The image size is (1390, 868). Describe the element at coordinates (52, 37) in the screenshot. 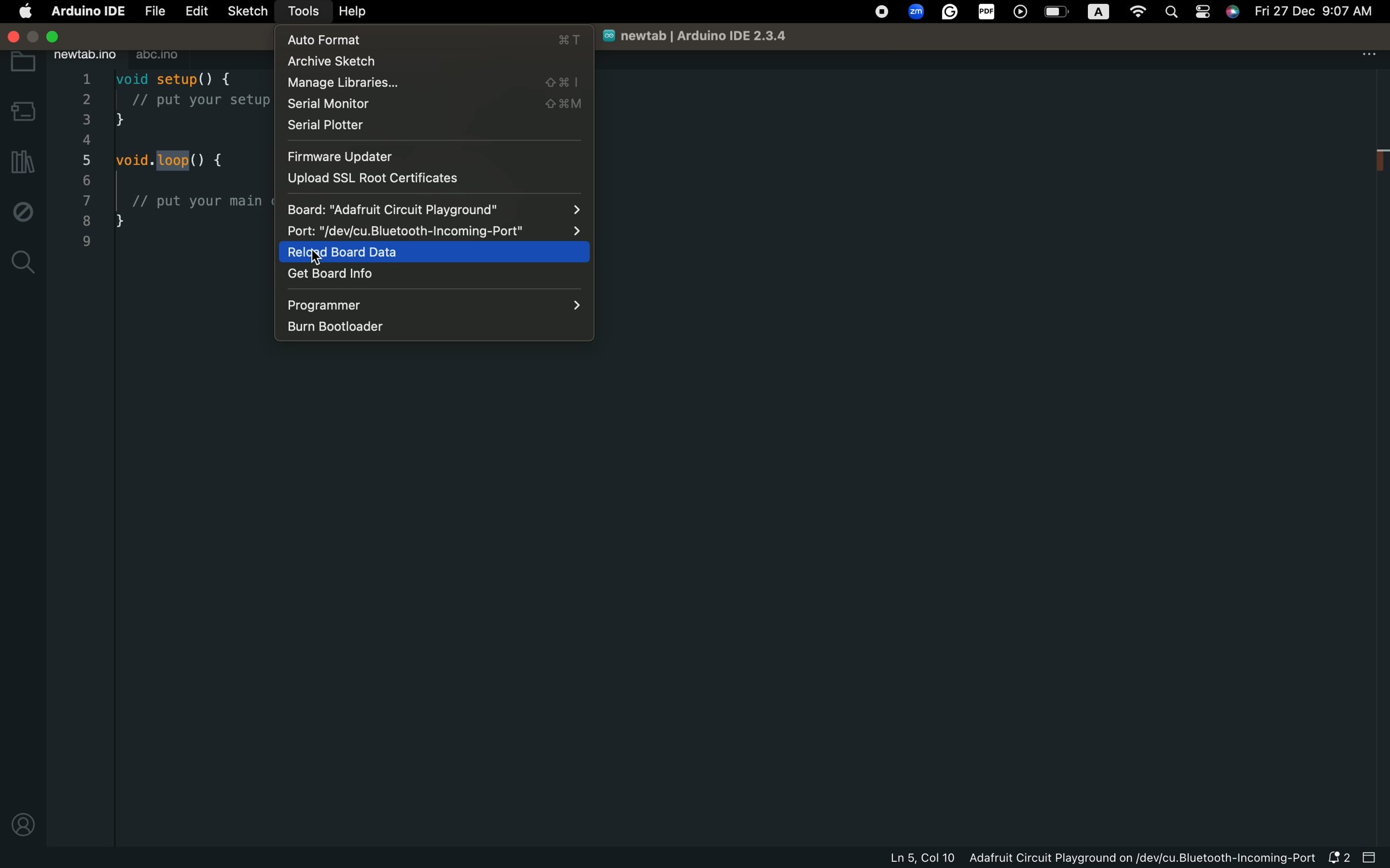

I see `maximize` at that location.